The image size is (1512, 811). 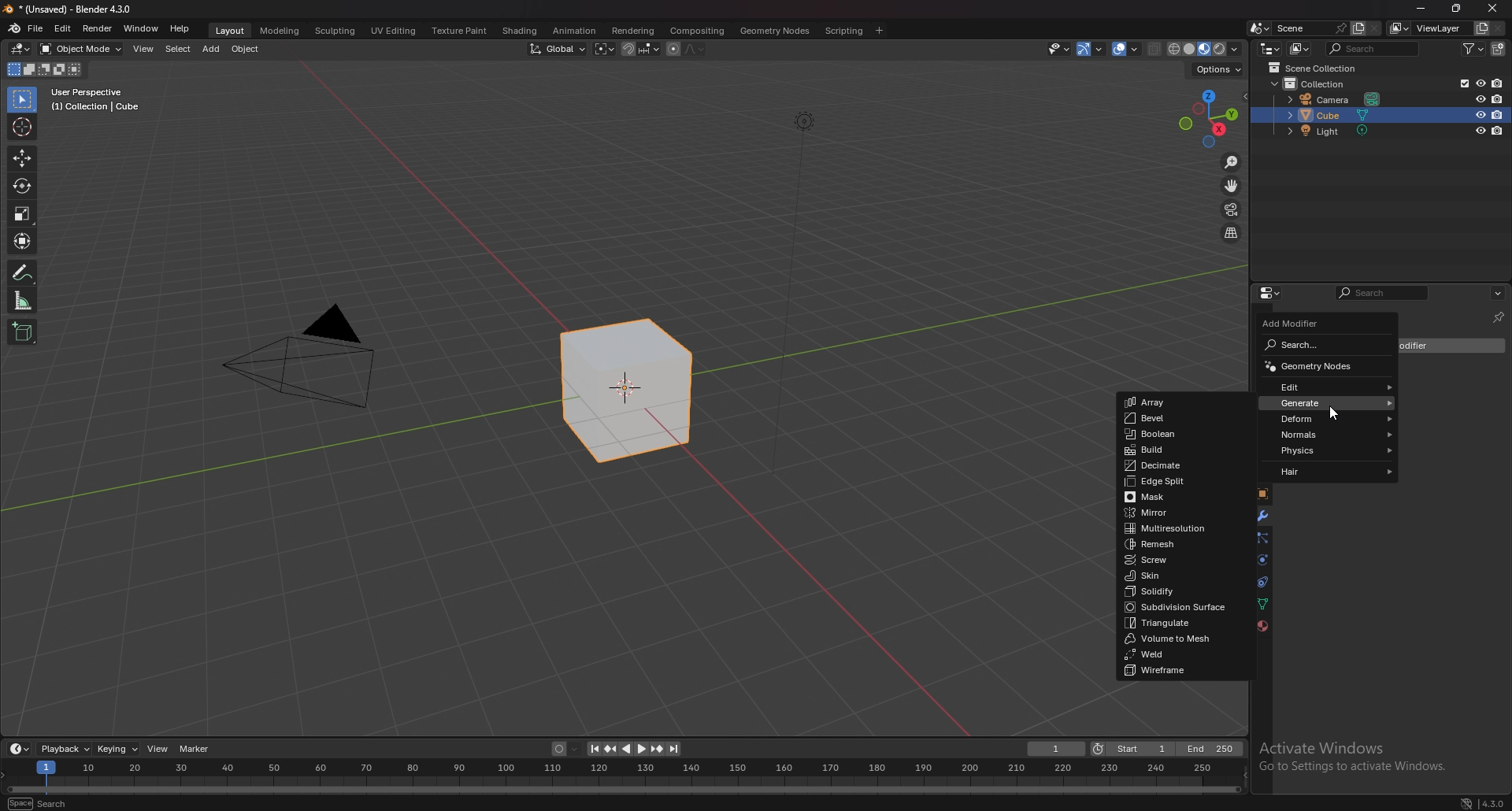 What do you see at coordinates (1269, 49) in the screenshot?
I see `editor type` at bounding box center [1269, 49].